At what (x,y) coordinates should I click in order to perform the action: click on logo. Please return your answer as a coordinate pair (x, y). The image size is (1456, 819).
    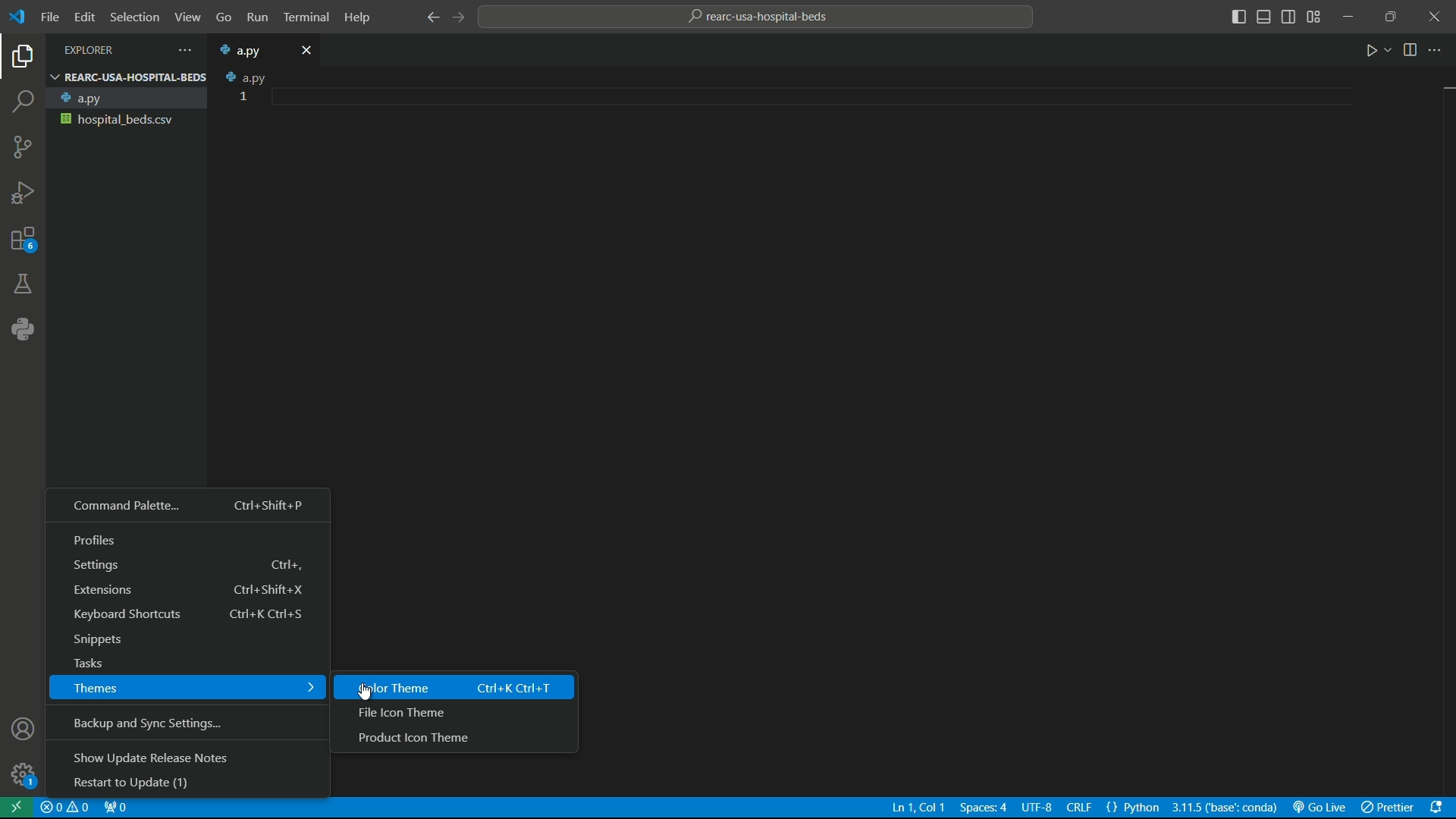
    Looking at the image, I should click on (20, 18).